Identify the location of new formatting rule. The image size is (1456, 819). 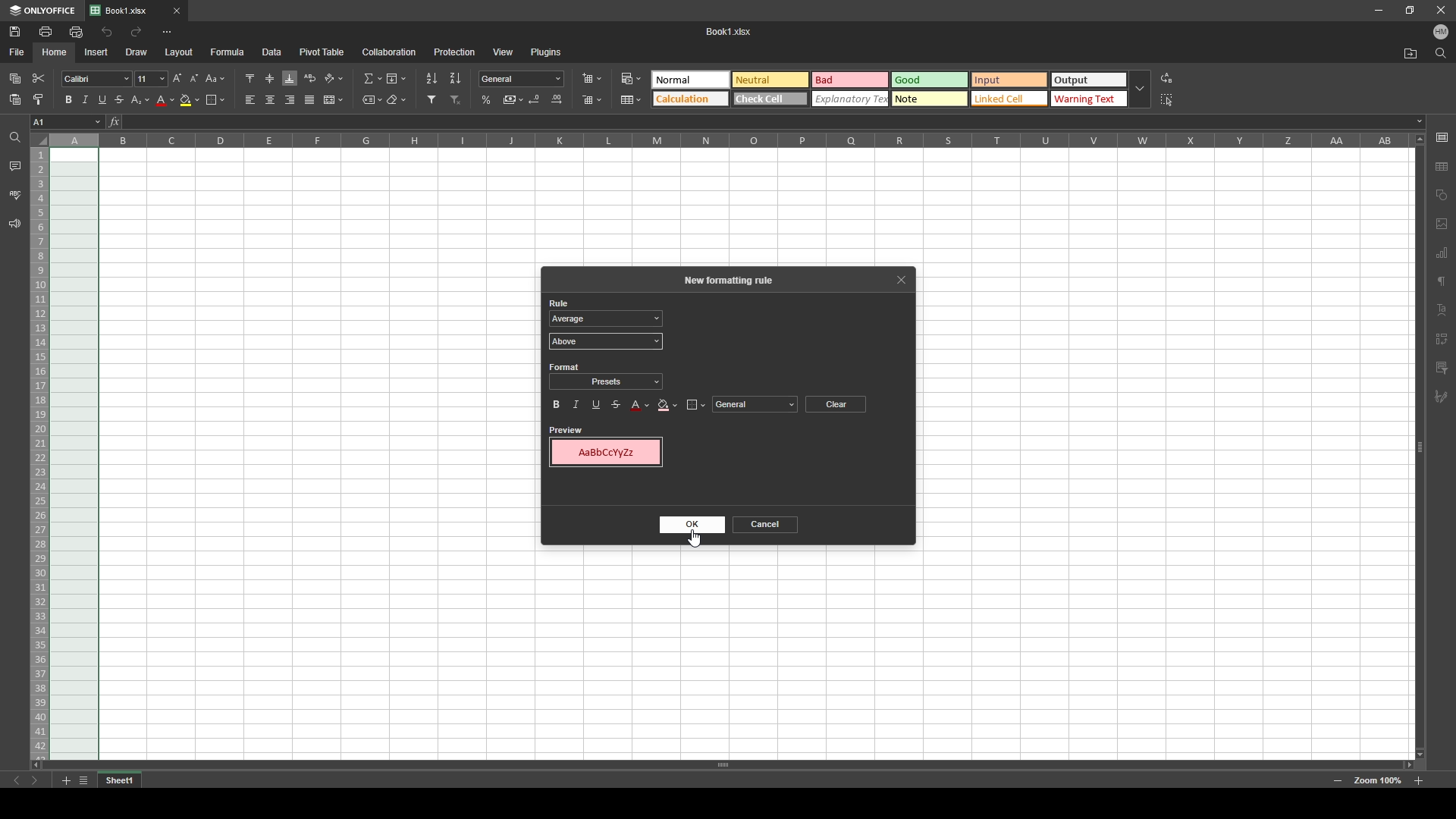
(733, 280).